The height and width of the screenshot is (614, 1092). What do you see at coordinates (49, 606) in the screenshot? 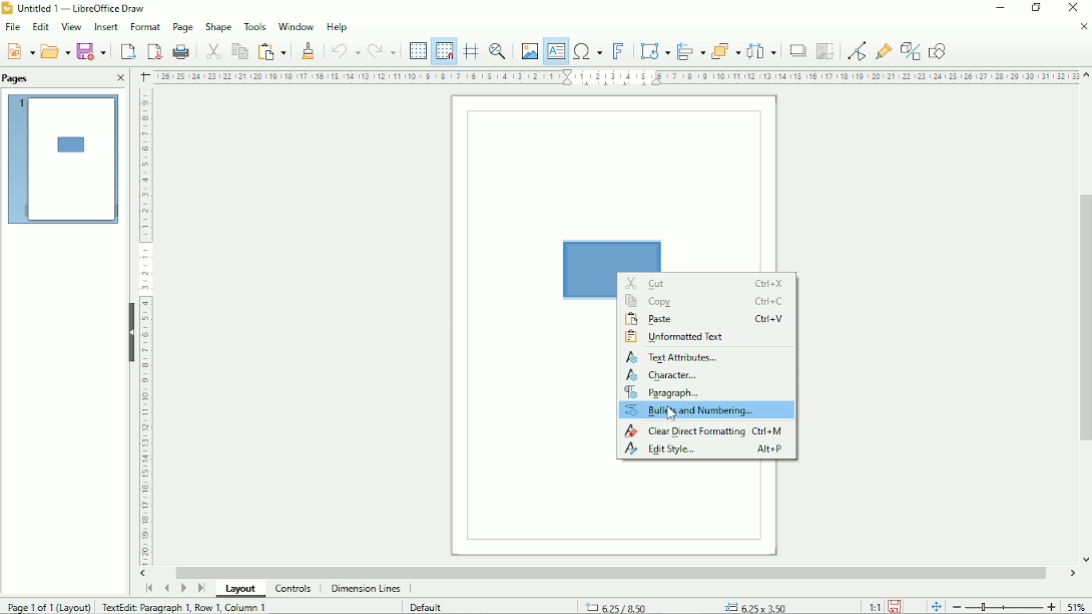
I see `Page 1 of 1` at bounding box center [49, 606].